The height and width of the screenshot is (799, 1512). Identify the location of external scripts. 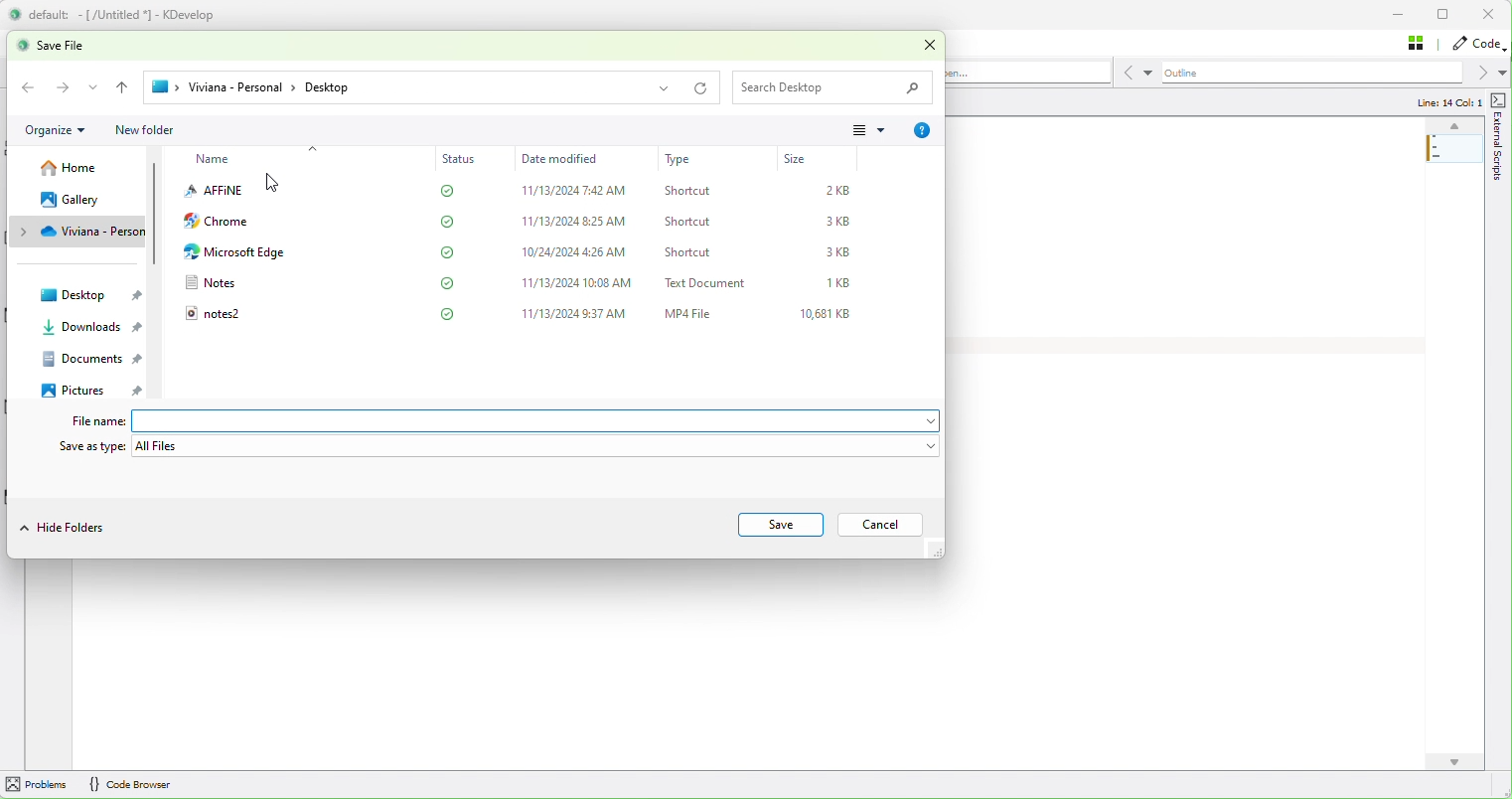
(1497, 183).